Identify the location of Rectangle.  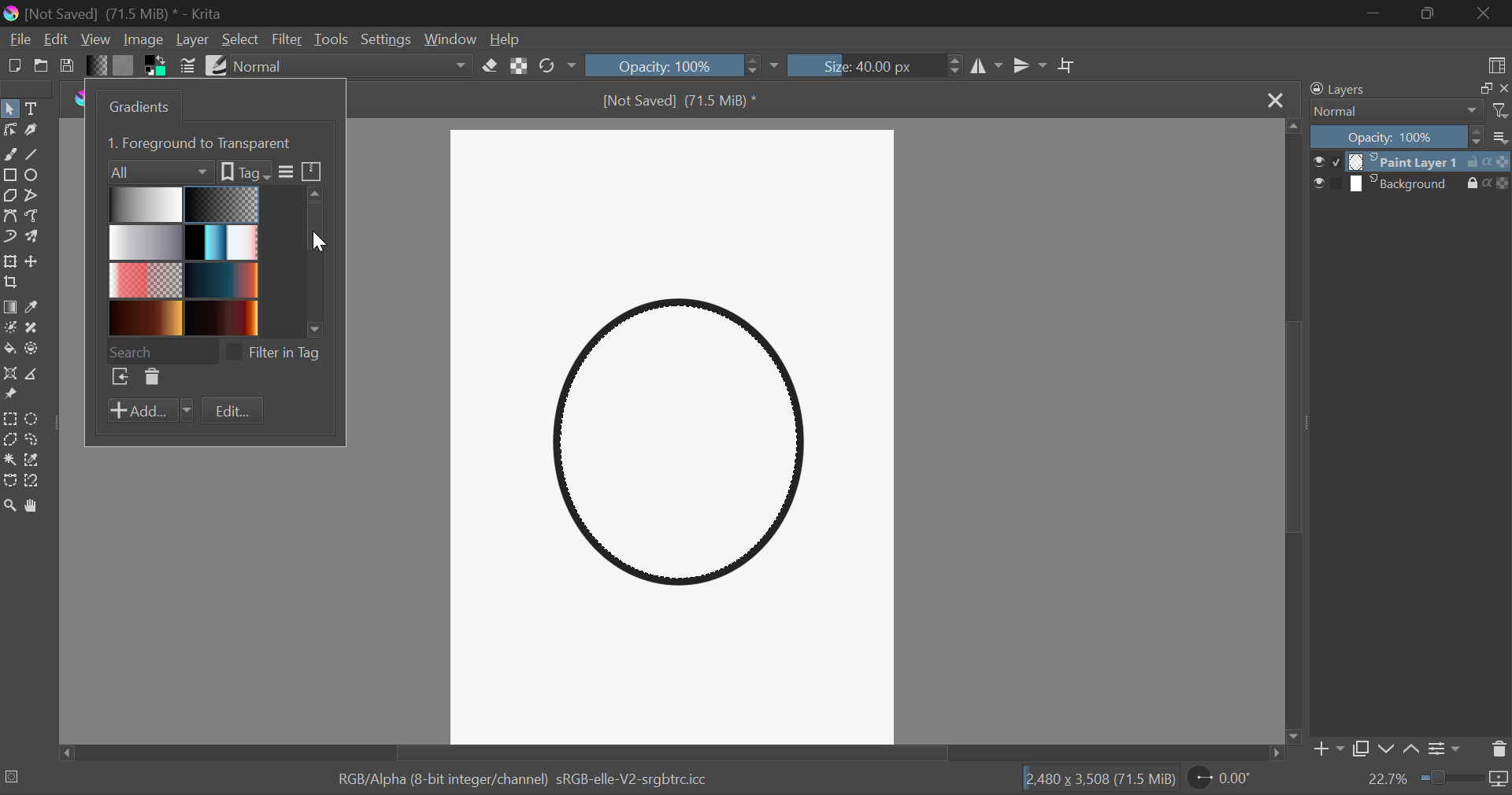
(11, 177).